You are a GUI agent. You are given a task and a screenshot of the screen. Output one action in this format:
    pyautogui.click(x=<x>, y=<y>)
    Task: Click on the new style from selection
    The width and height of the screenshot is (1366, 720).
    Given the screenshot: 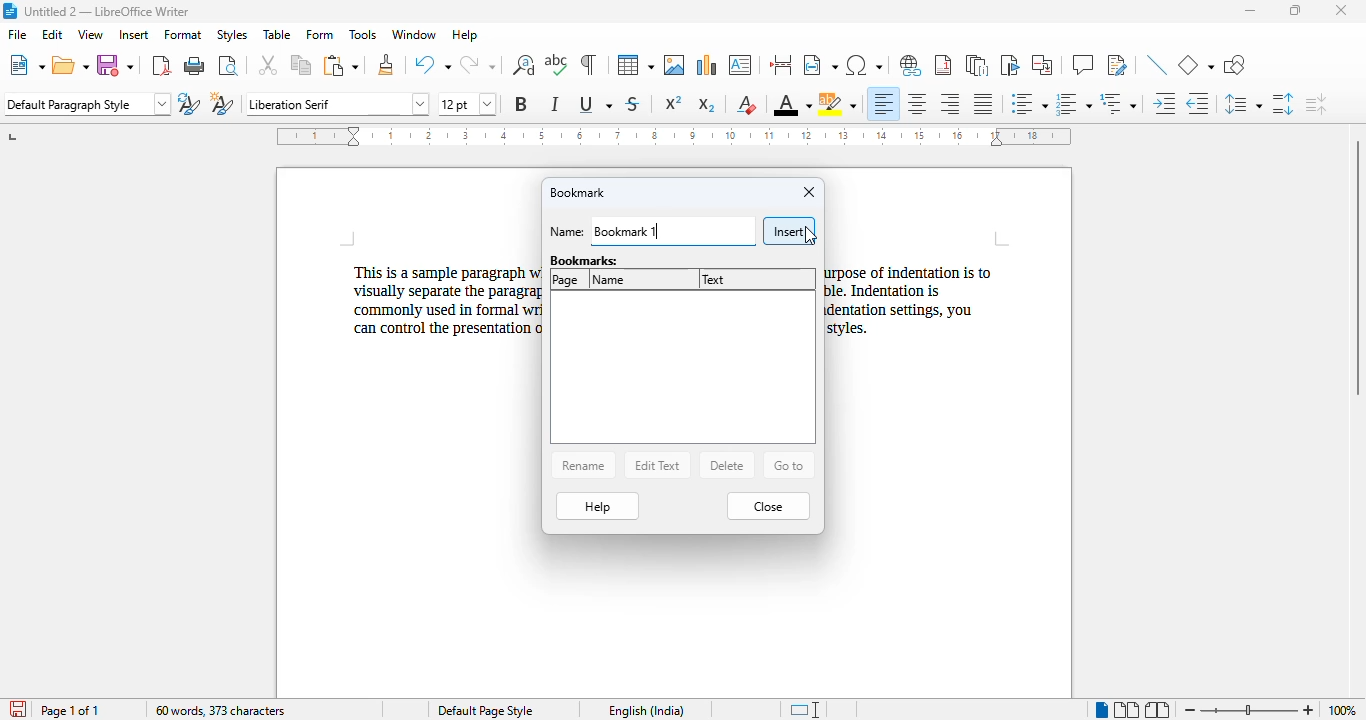 What is the action you would take?
    pyautogui.click(x=222, y=102)
    